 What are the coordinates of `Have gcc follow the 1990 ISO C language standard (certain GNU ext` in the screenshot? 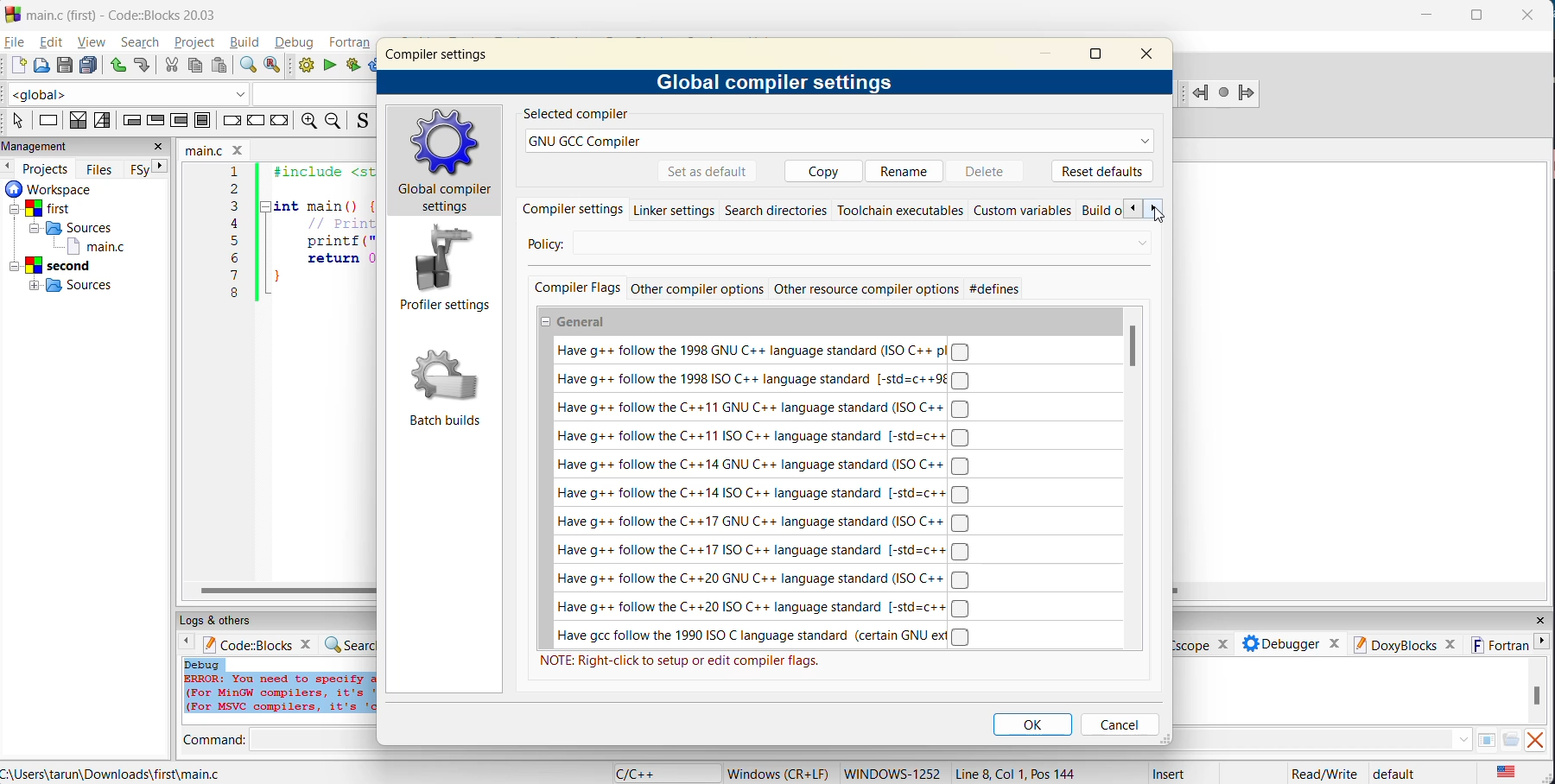 It's located at (765, 637).